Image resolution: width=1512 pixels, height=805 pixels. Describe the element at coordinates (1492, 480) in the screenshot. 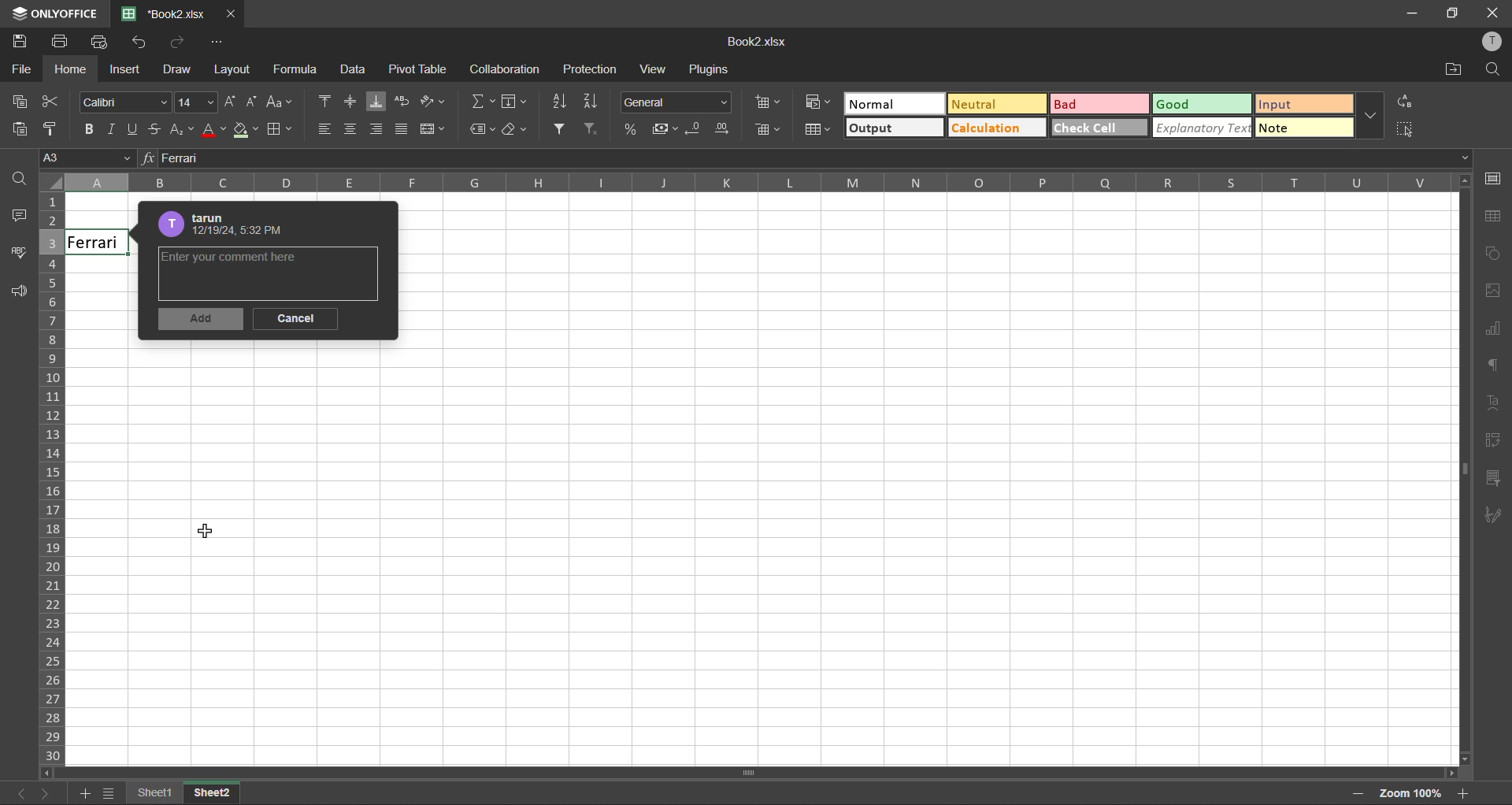

I see `slicer` at that location.